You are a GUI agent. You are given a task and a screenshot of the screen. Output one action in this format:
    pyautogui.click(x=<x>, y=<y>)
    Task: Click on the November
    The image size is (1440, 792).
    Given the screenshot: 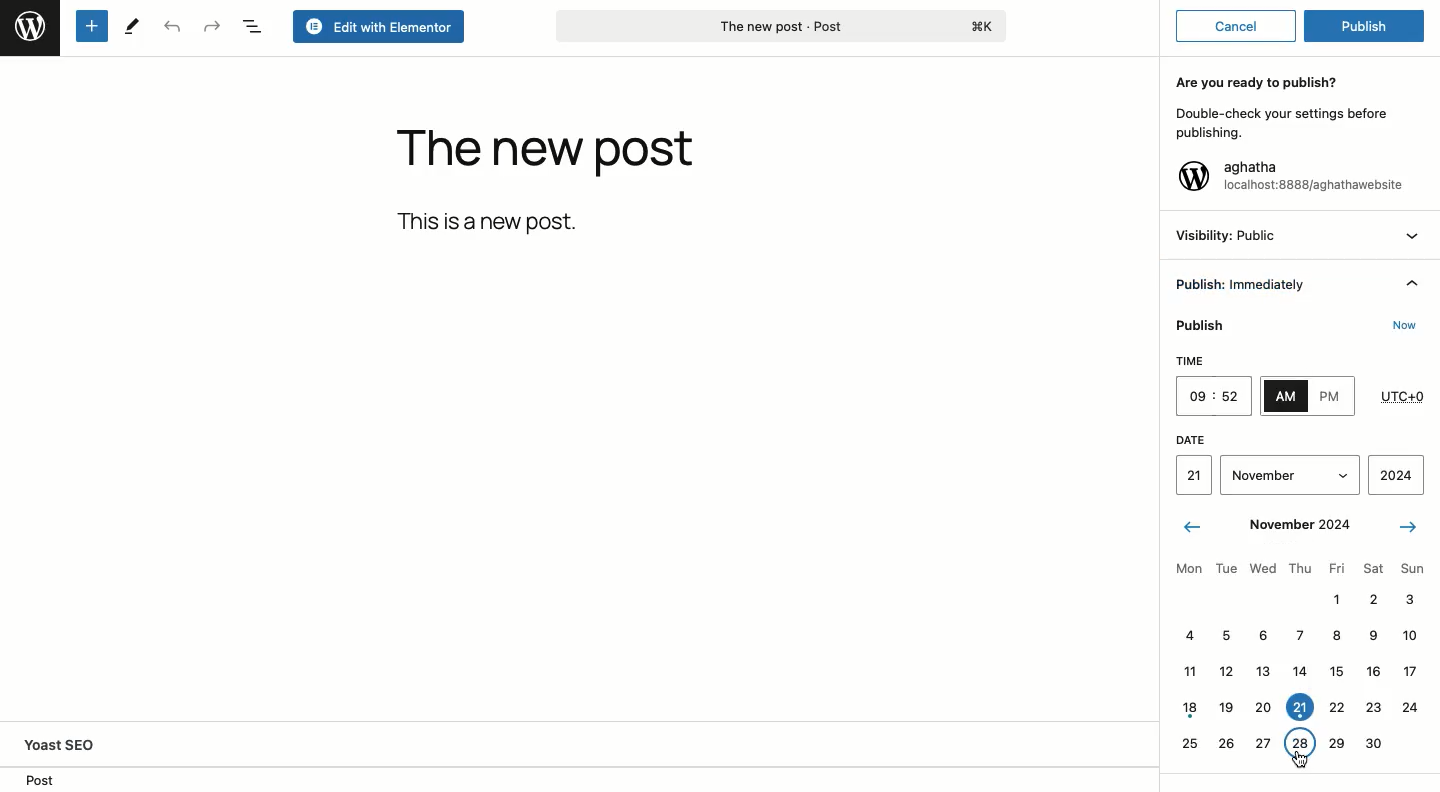 What is the action you would take?
    pyautogui.click(x=1271, y=475)
    